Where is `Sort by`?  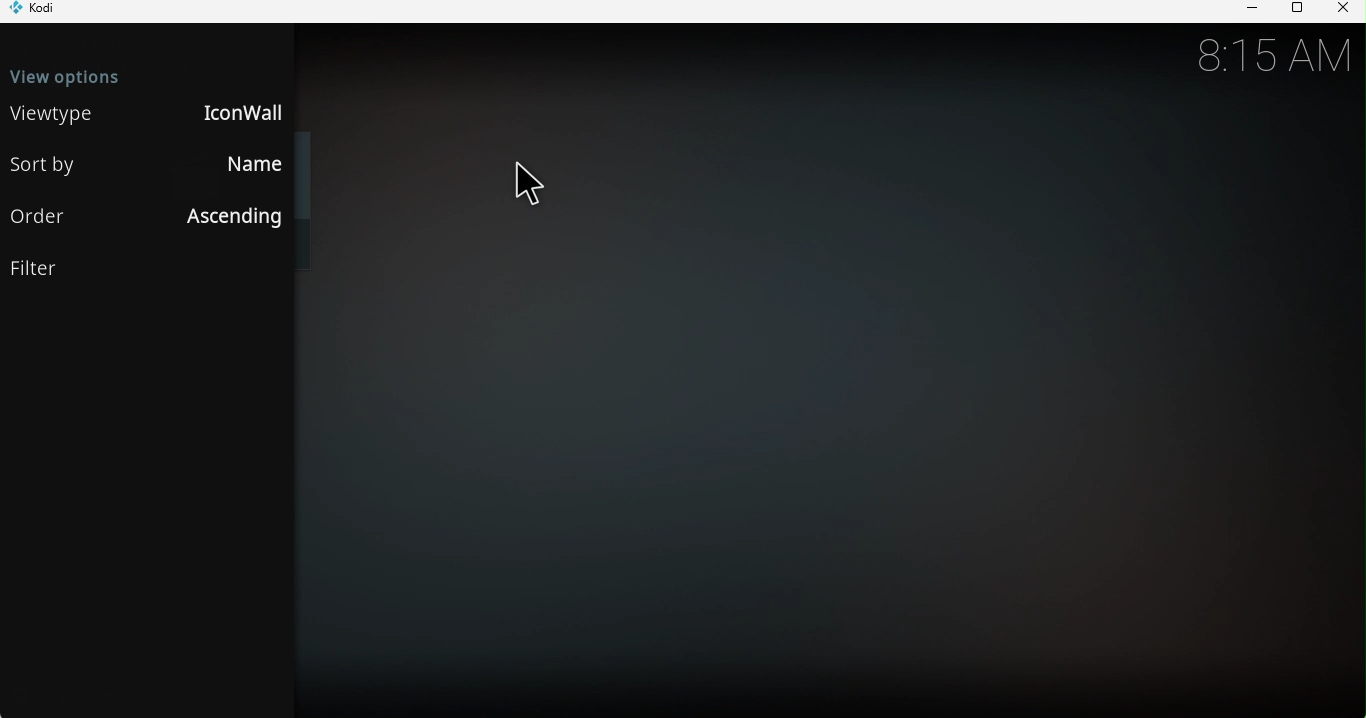 Sort by is located at coordinates (47, 164).